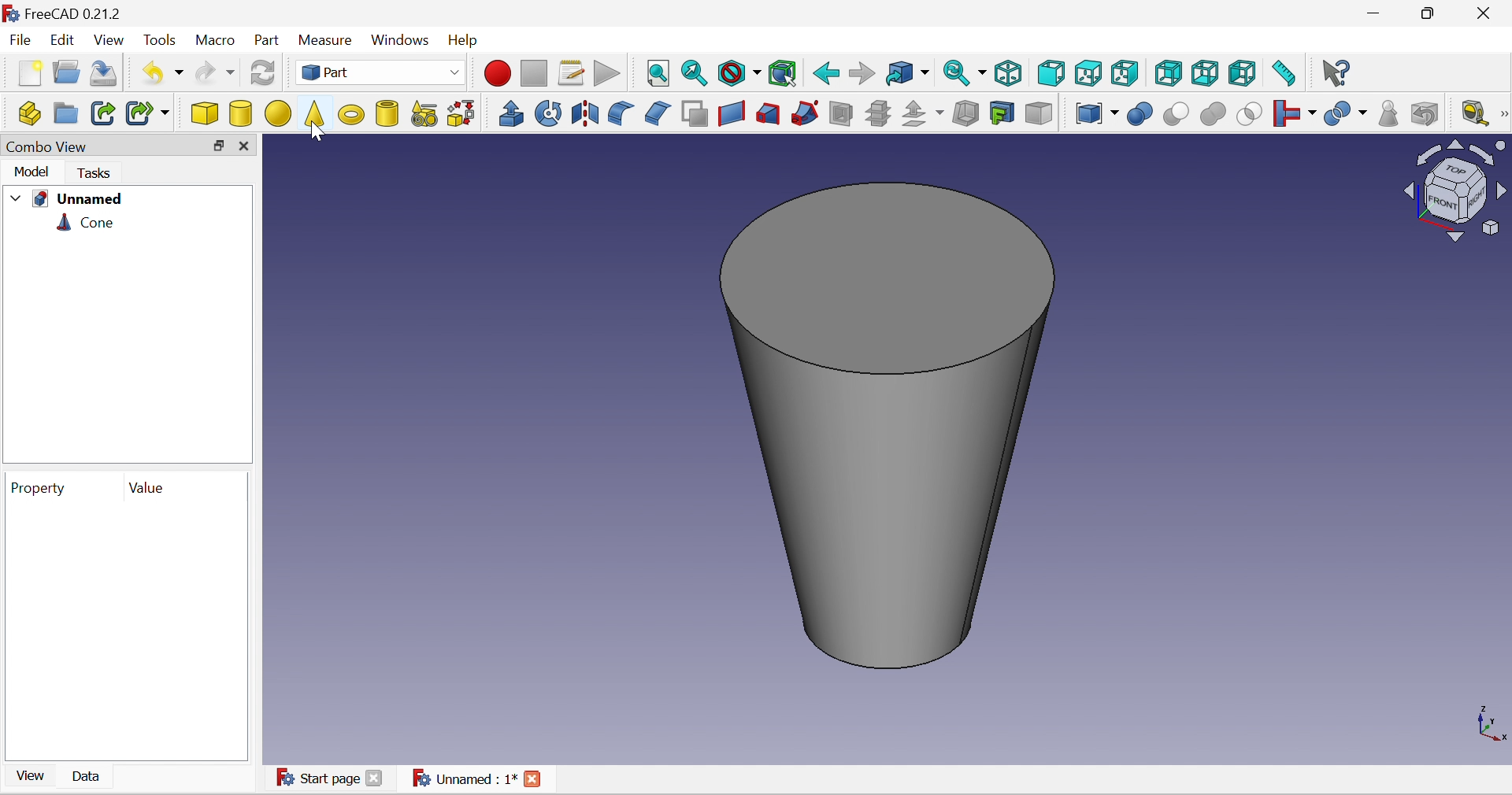 Image resolution: width=1512 pixels, height=795 pixels. What do you see at coordinates (1125, 72) in the screenshot?
I see `Right` at bounding box center [1125, 72].